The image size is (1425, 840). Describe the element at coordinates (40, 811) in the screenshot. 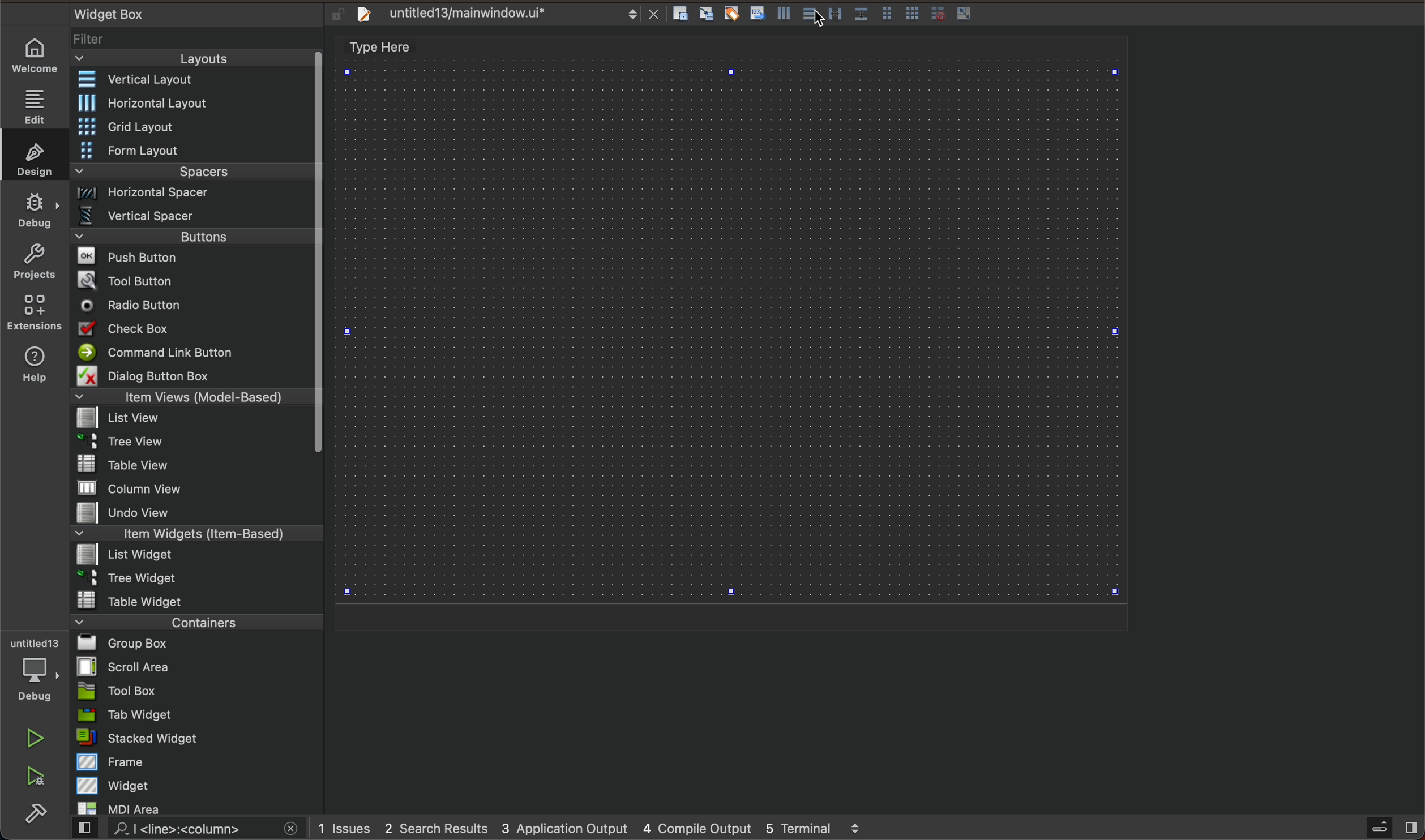

I see `build` at that location.